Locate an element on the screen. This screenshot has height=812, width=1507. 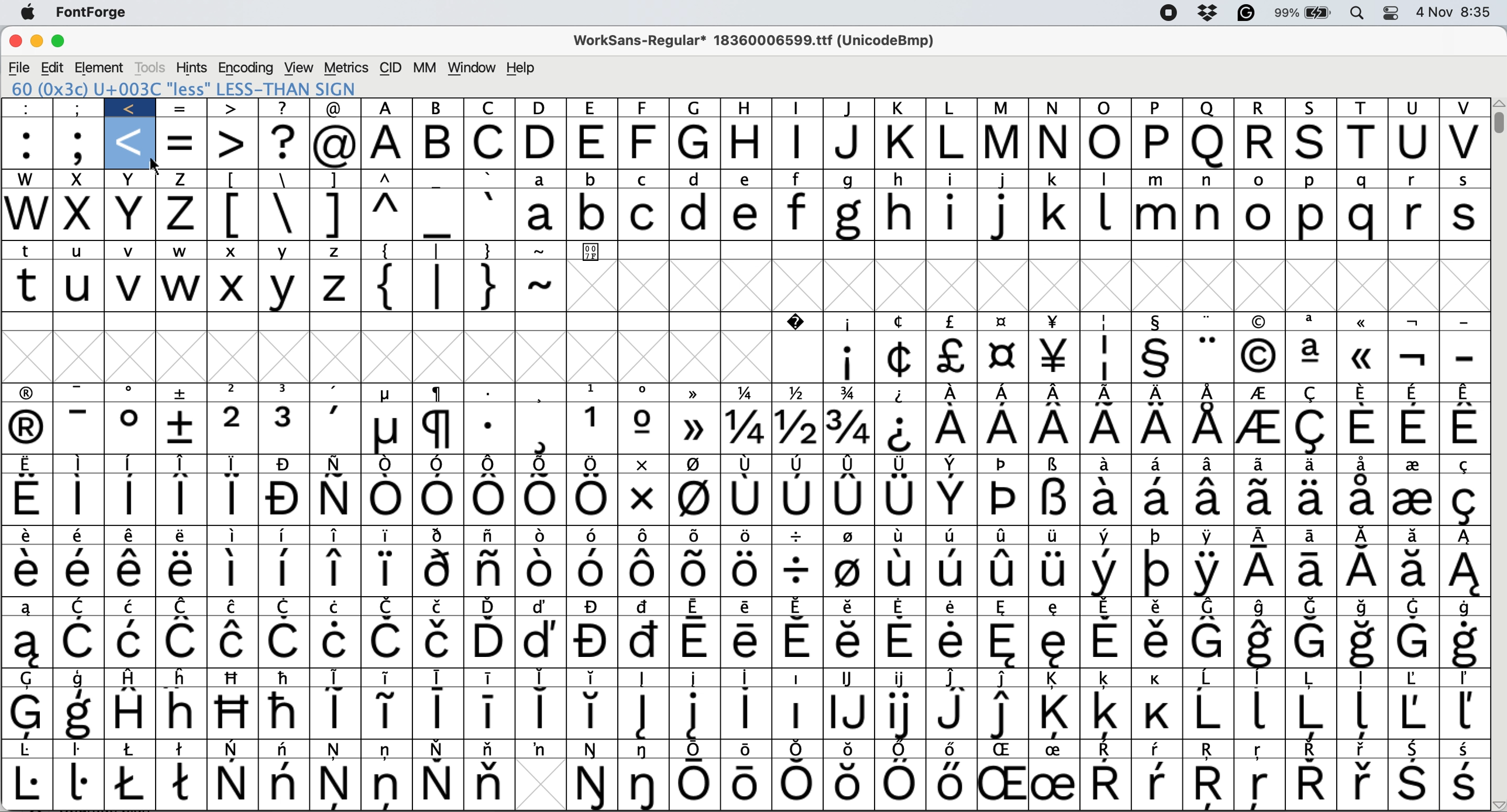
m is located at coordinates (1157, 181).